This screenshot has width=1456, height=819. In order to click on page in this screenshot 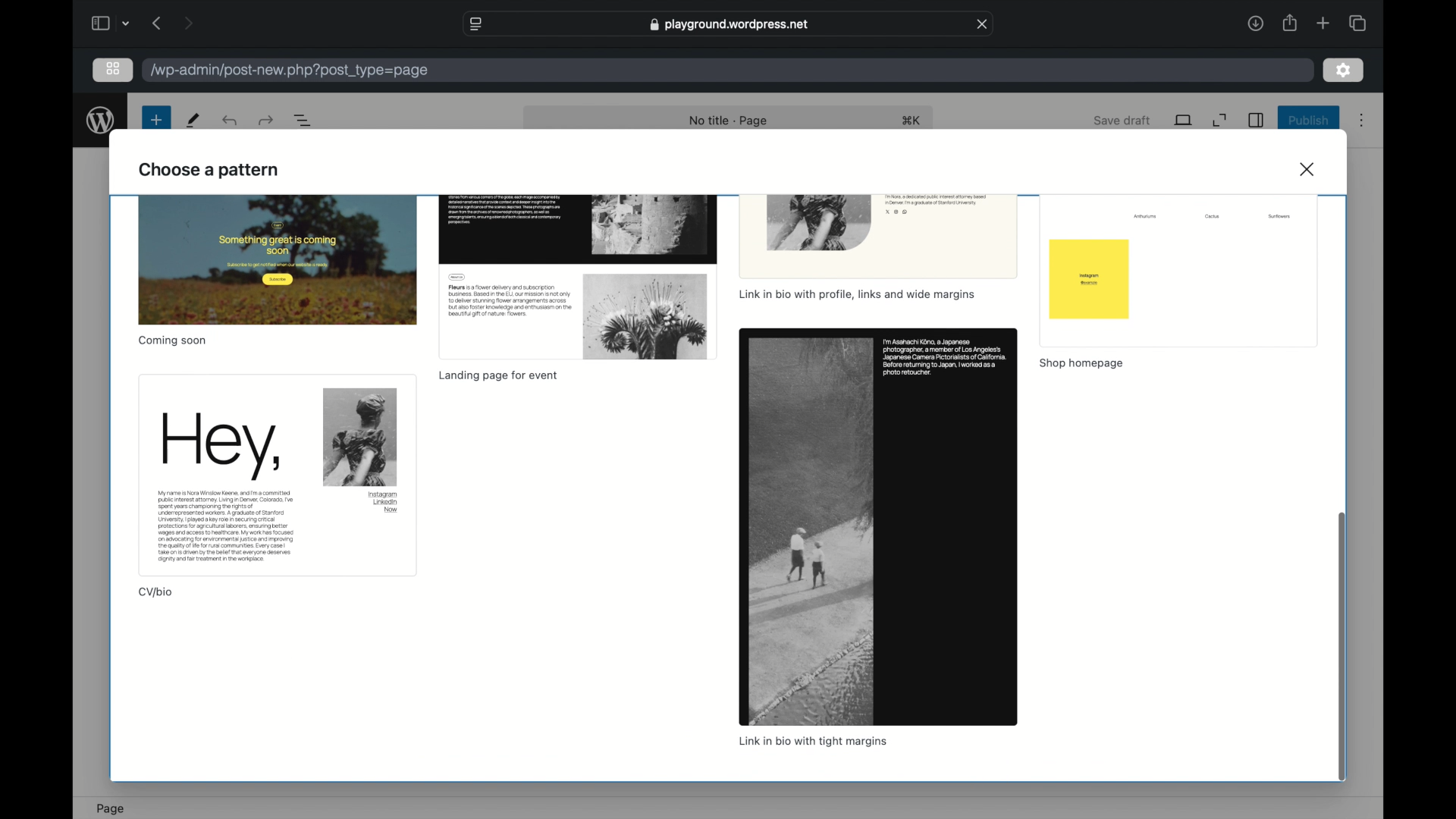, I will do `click(111, 809)`.